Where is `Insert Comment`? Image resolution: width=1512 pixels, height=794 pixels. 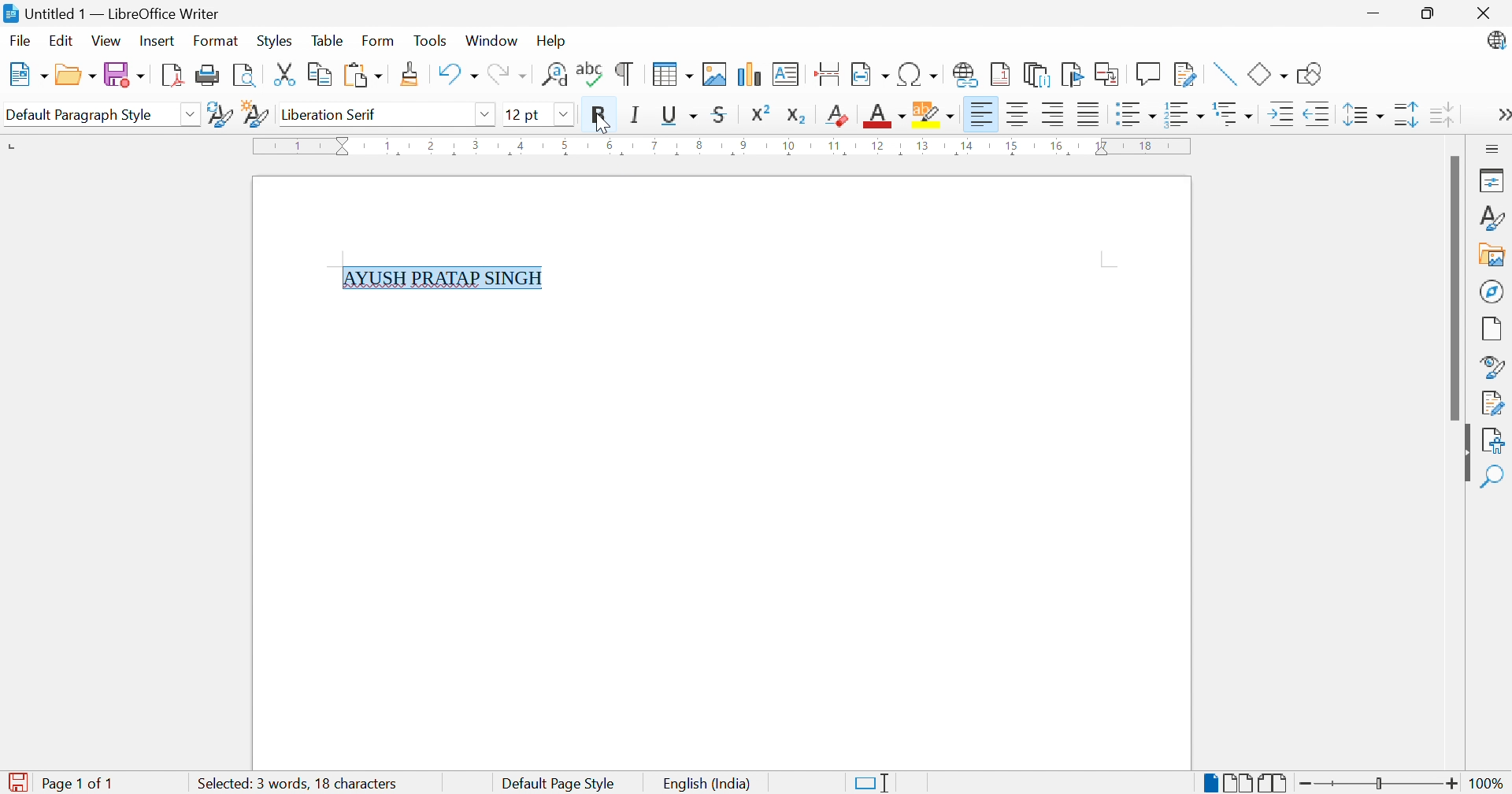
Insert Comment is located at coordinates (1147, 73).